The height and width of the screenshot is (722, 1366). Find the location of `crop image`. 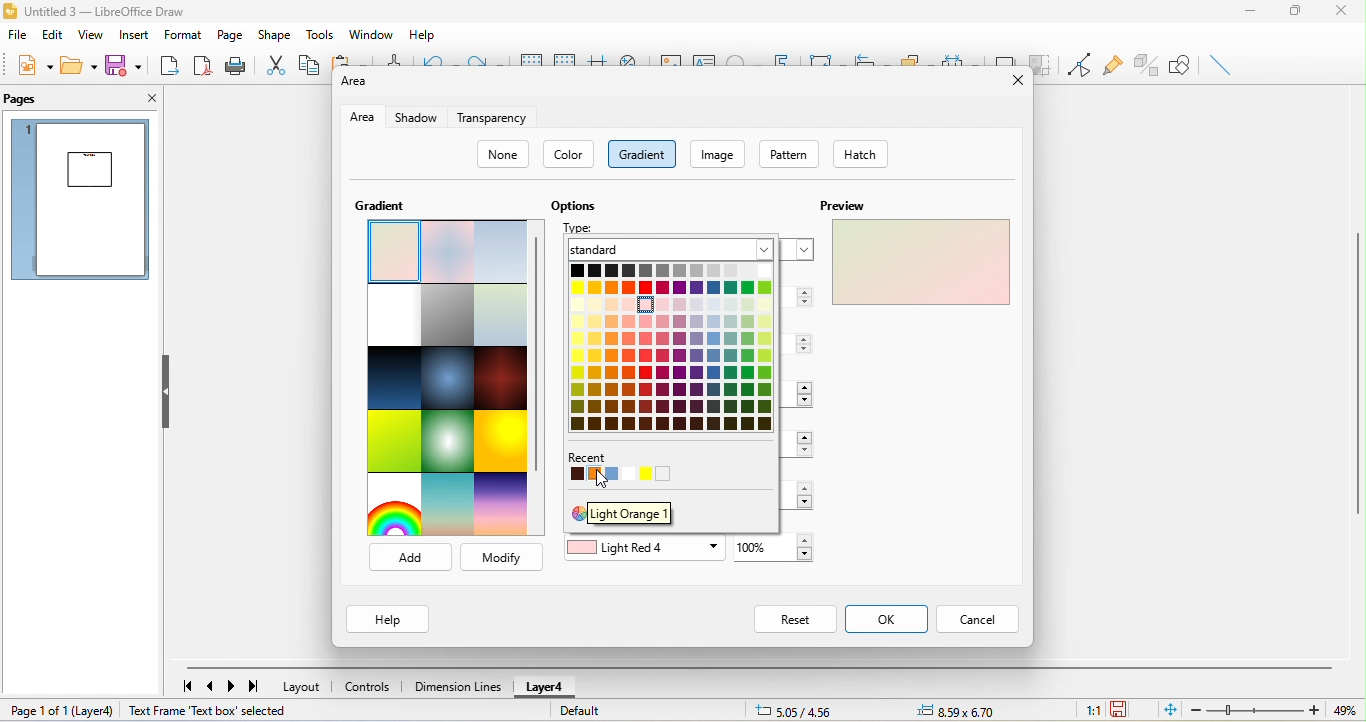

crop image is located at coordinates (1041, 63).